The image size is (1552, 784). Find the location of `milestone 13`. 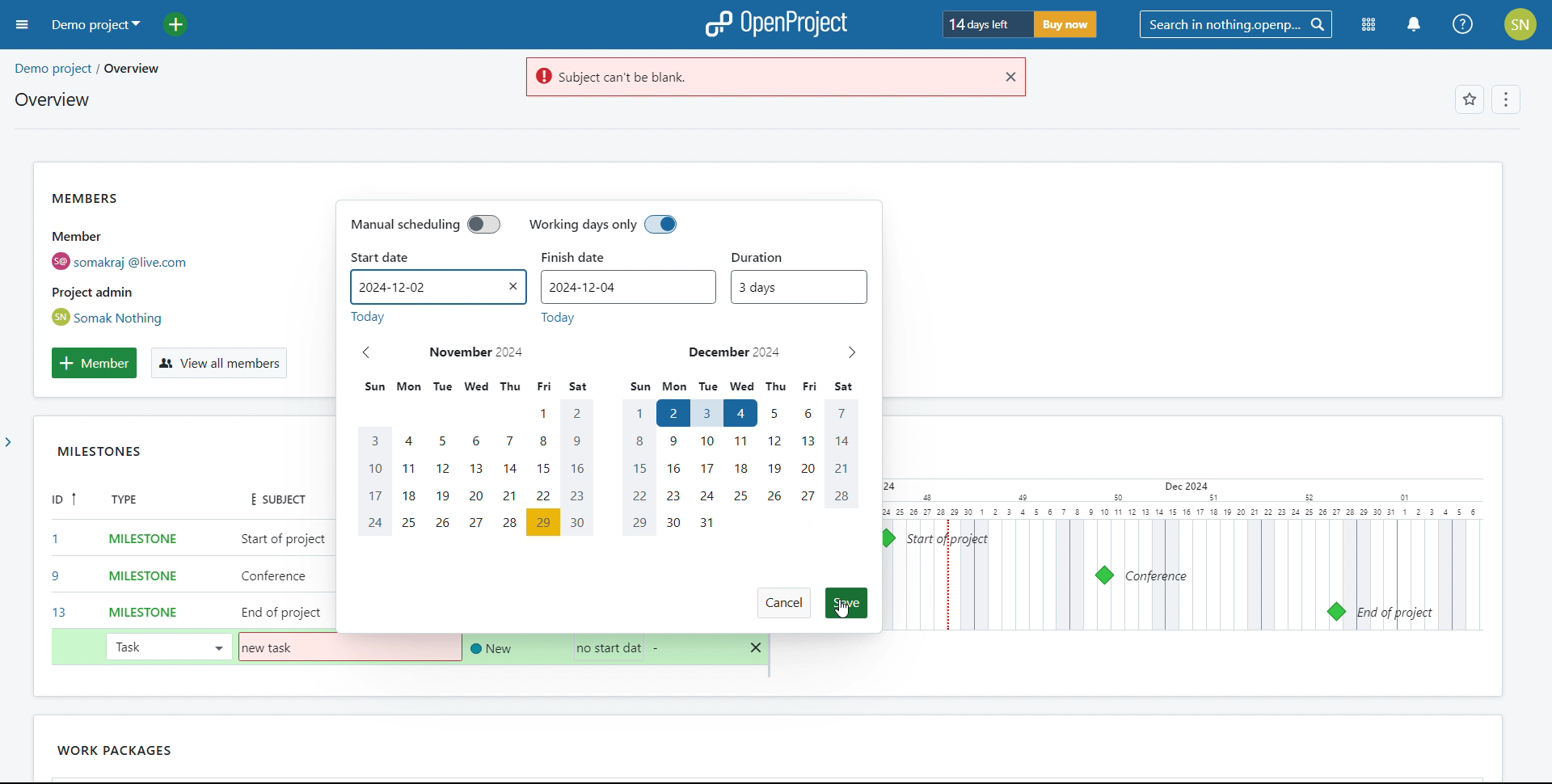

milestone 13 is located at coordinates (1335, 612).